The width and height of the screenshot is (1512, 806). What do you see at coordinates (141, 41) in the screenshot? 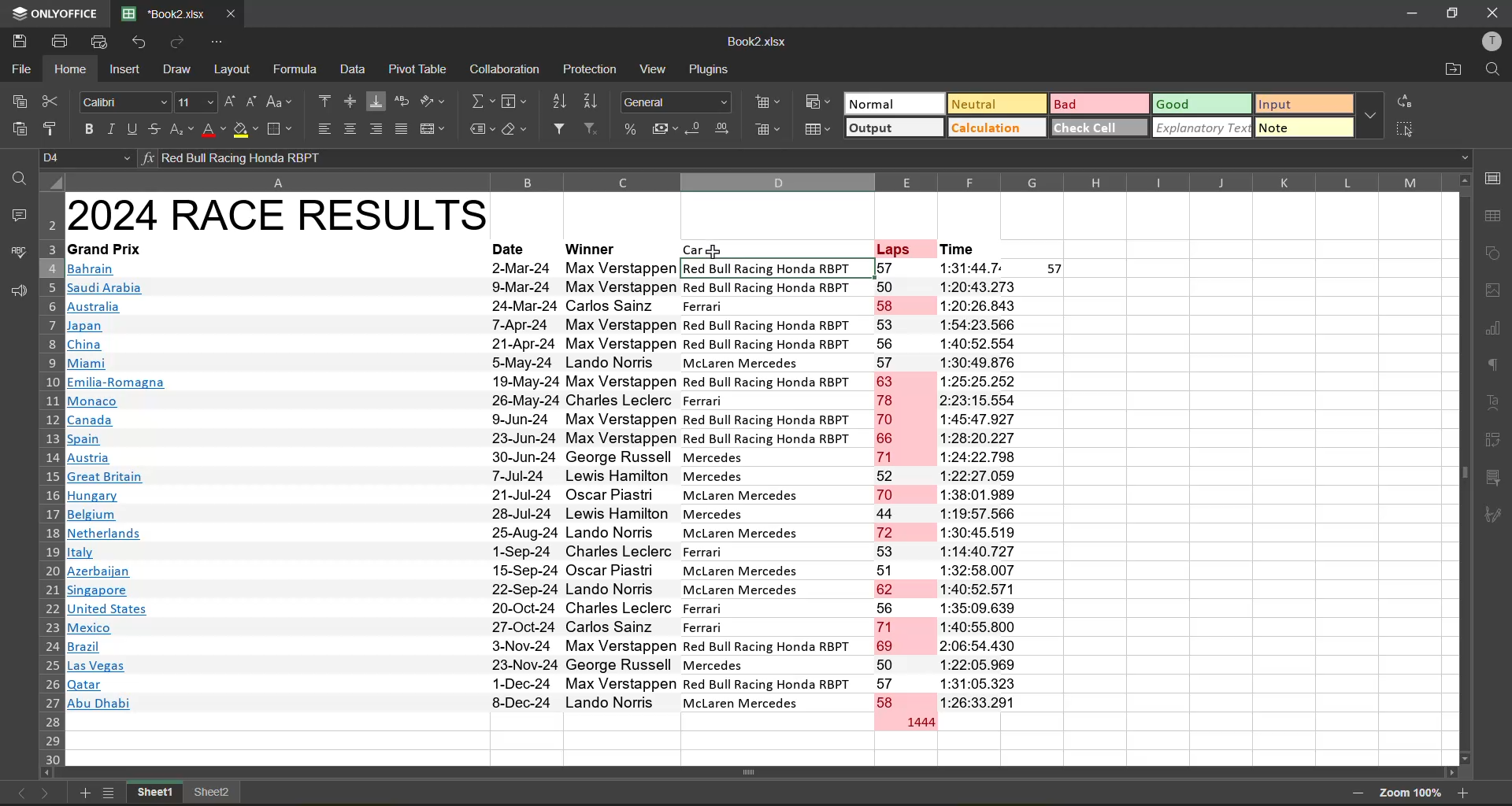
I see `undo` at bounding box center [141, 41].